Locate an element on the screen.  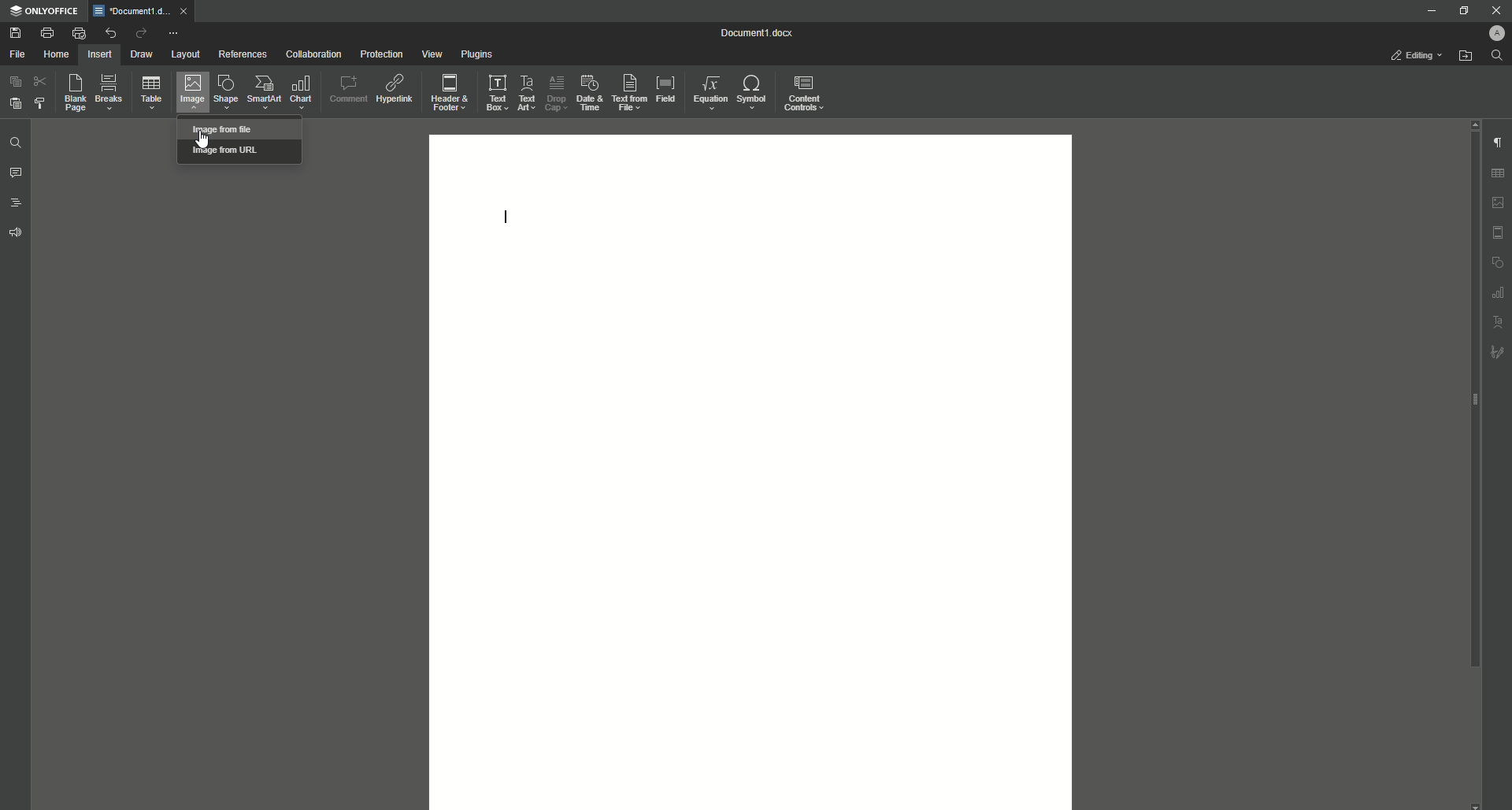
Save is located at coordinates (13, 33).